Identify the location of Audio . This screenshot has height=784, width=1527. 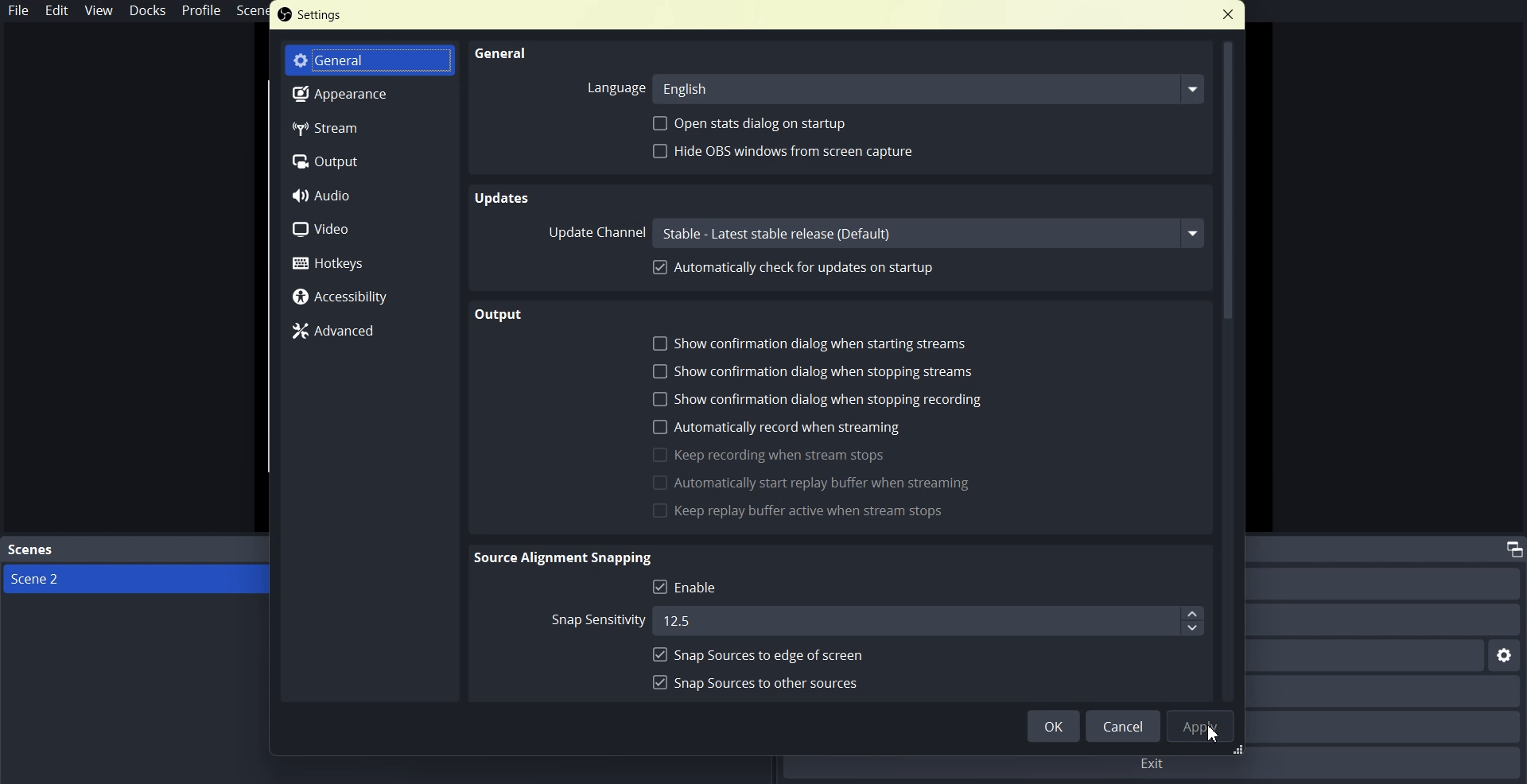
(370, 193).